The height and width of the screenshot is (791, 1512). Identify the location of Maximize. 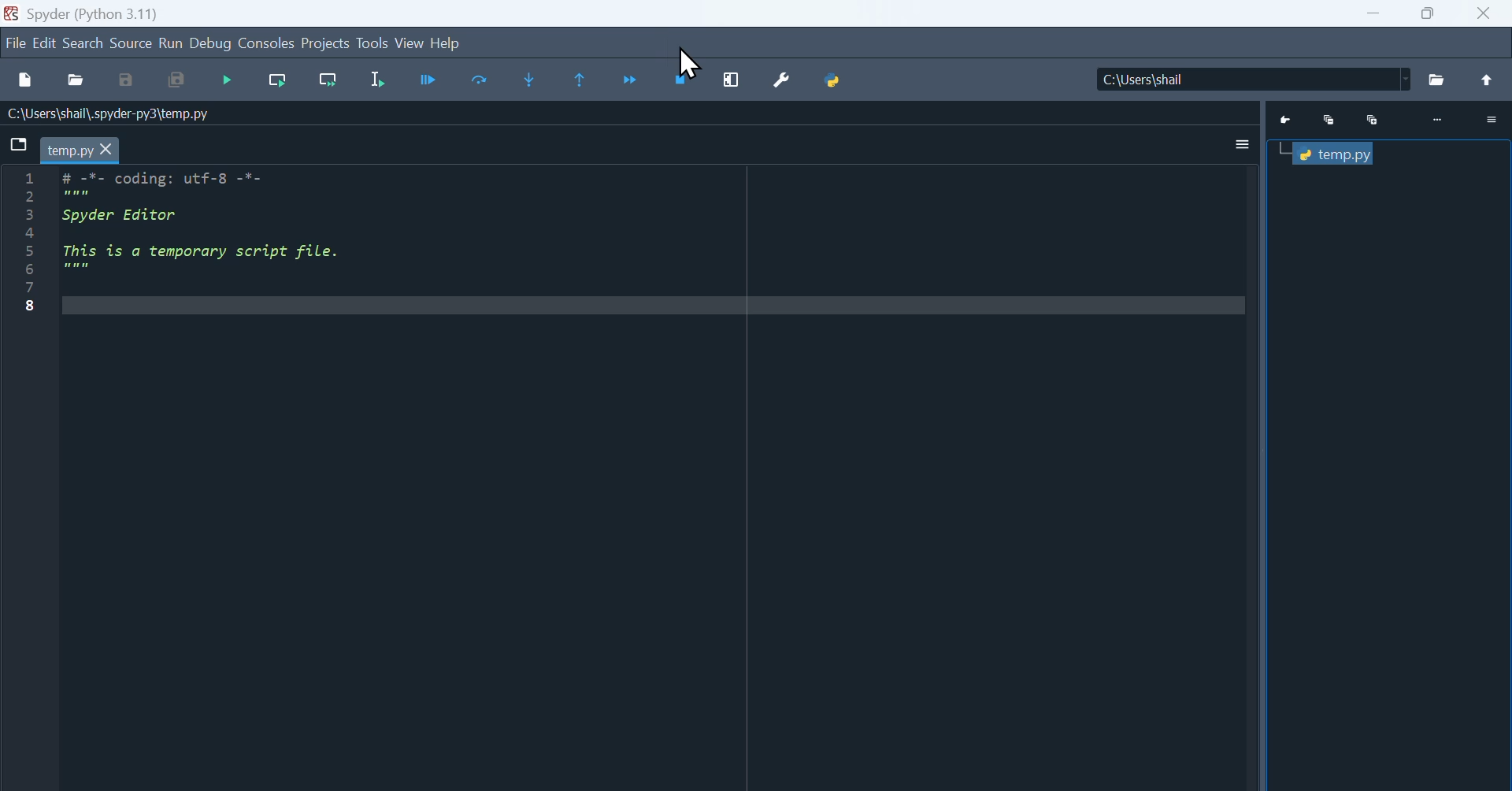
(1373, 119).